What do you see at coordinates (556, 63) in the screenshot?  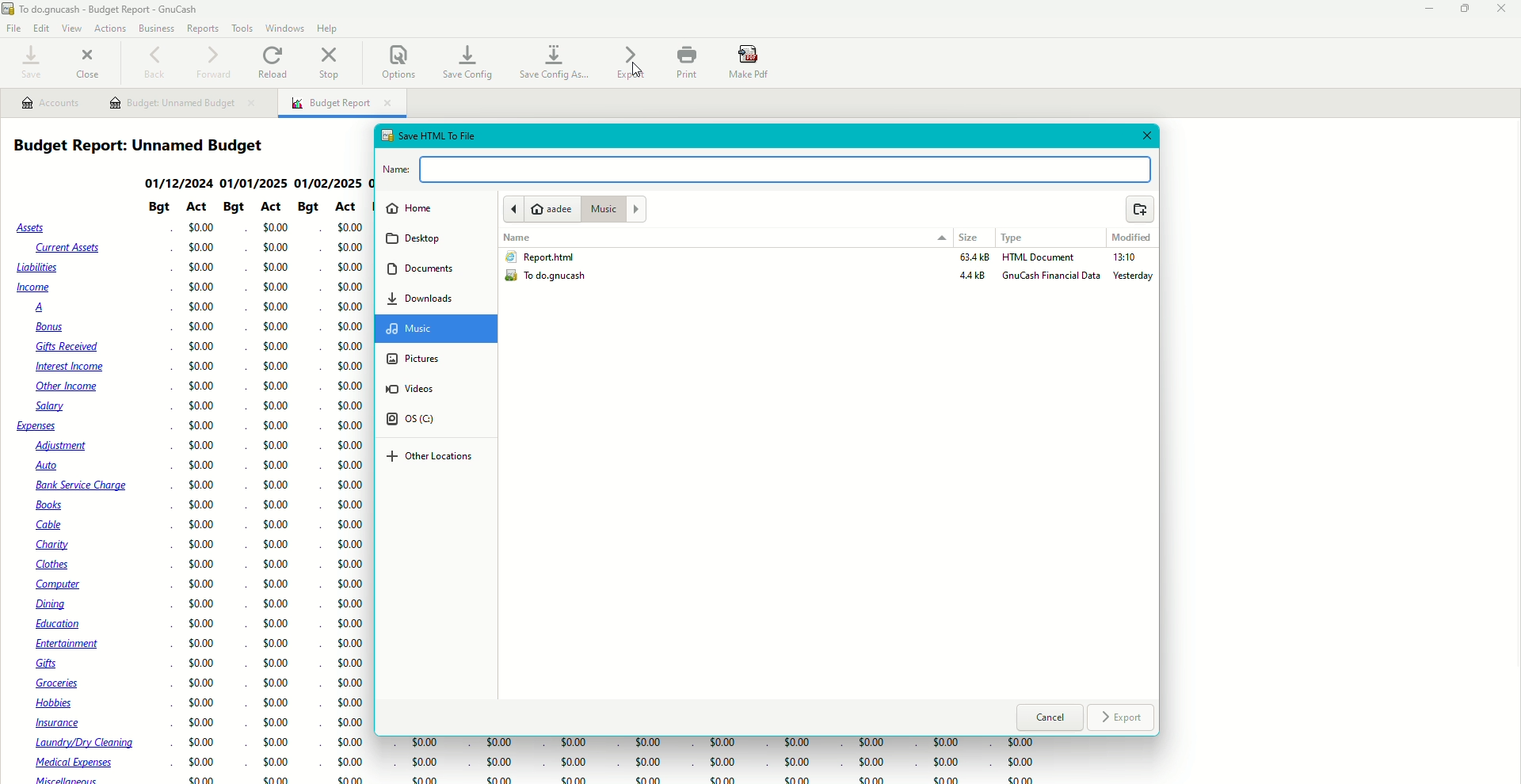 I see `Save Config As` at bounding box center [556, 63].